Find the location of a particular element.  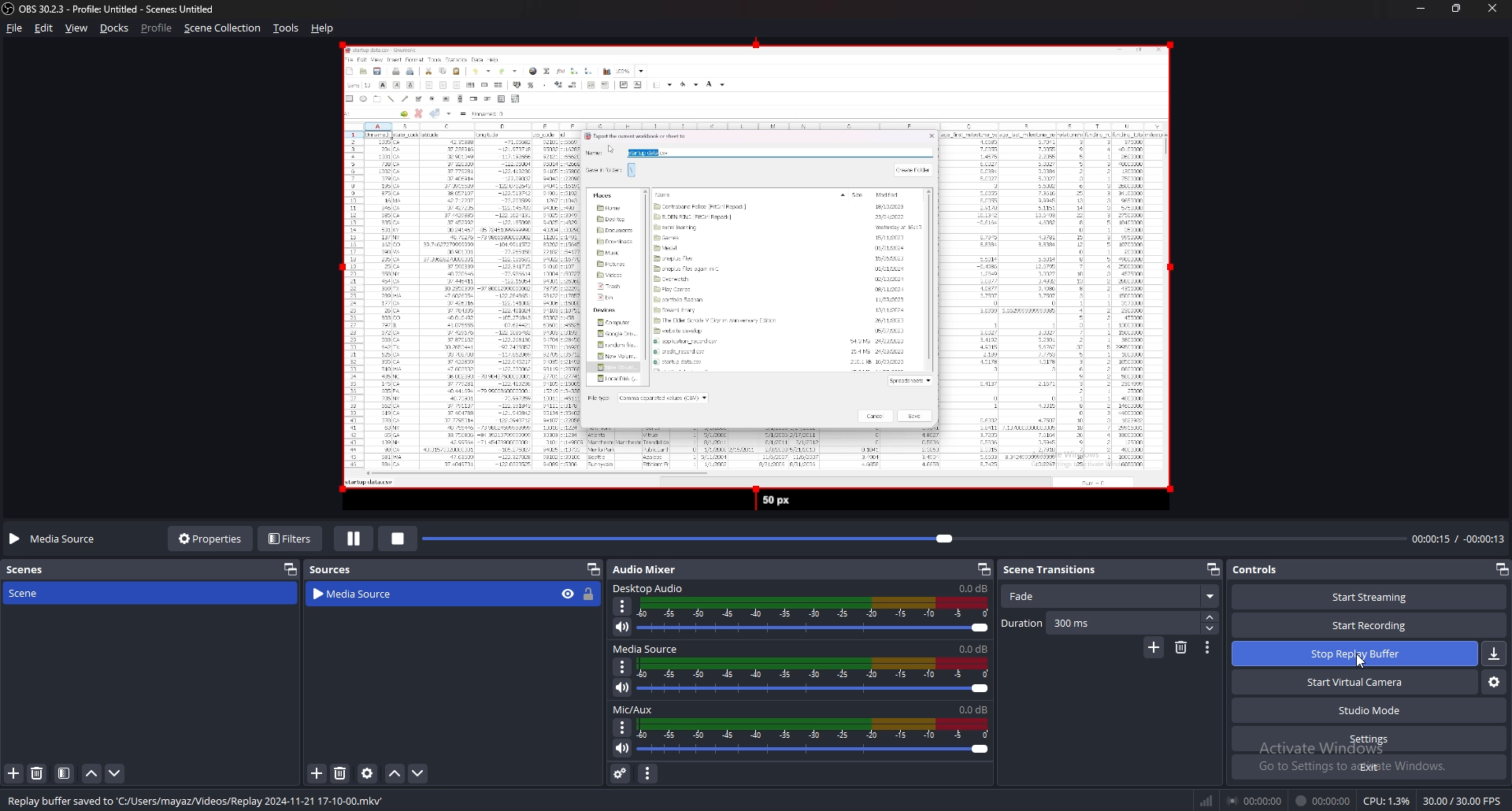

pop out is located at coordinates (593, 569).